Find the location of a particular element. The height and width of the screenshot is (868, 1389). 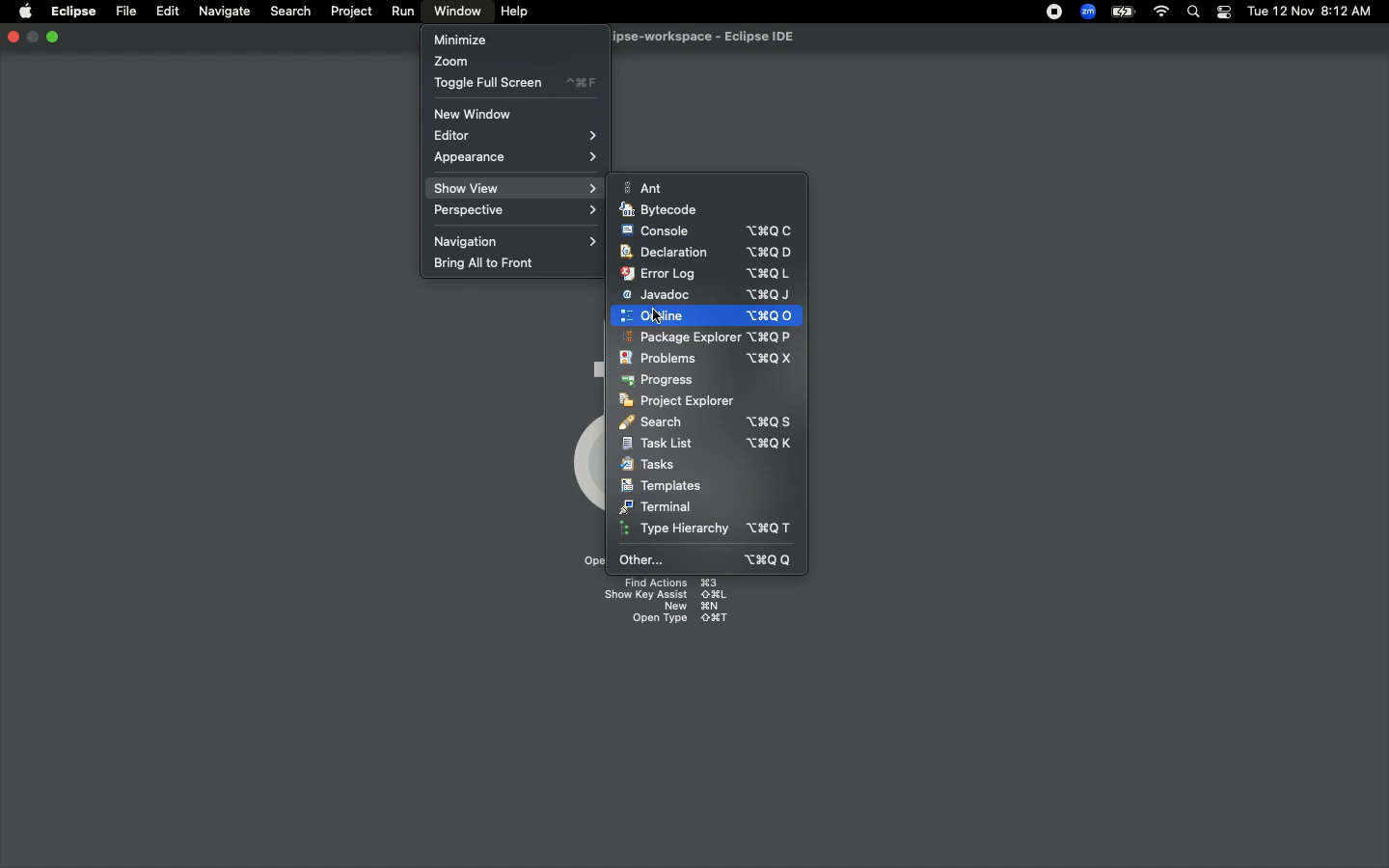

Console is located at coordinates (707, 231).